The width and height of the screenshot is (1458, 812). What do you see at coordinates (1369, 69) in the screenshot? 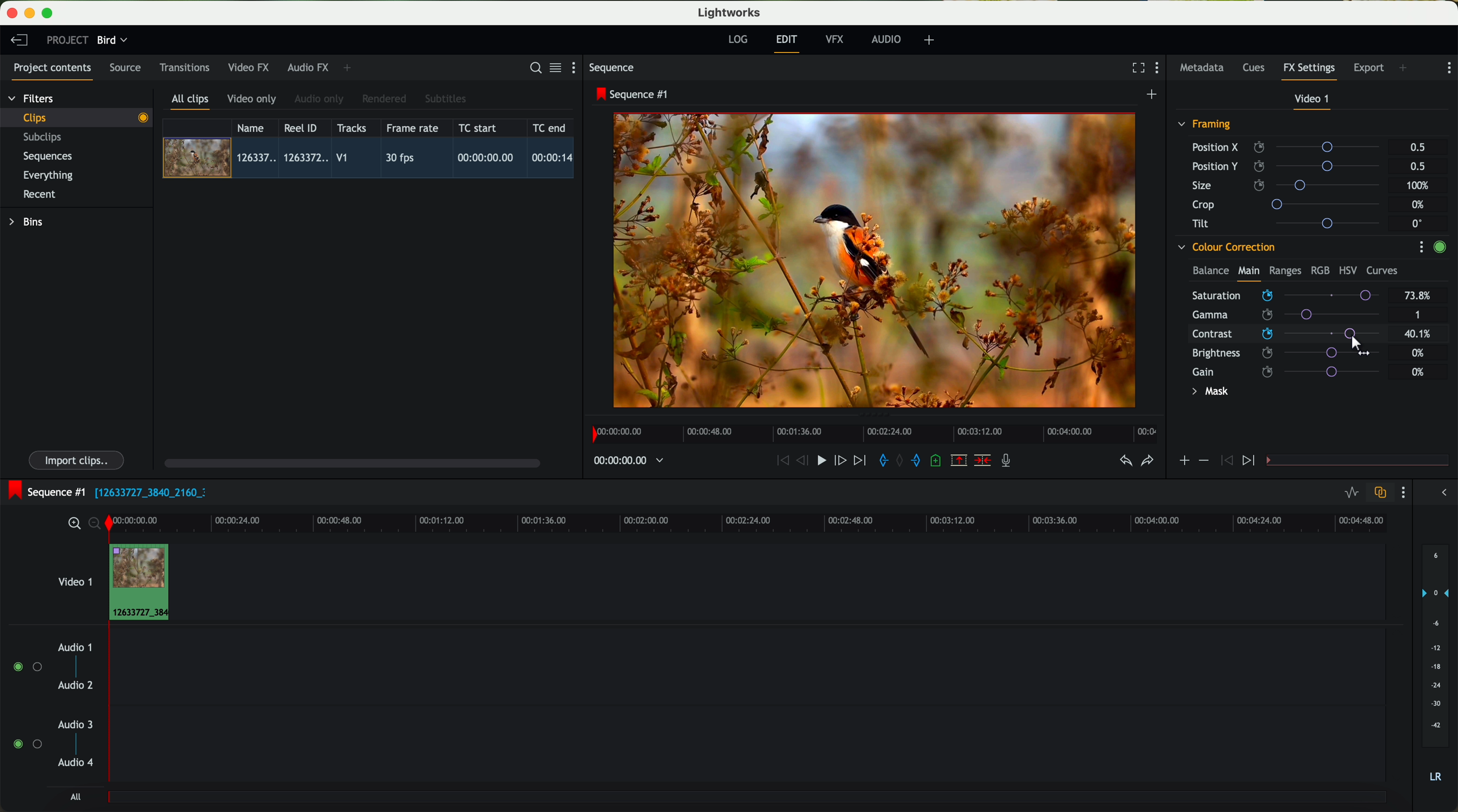
I see `export` at bounding box center [1369, 69].